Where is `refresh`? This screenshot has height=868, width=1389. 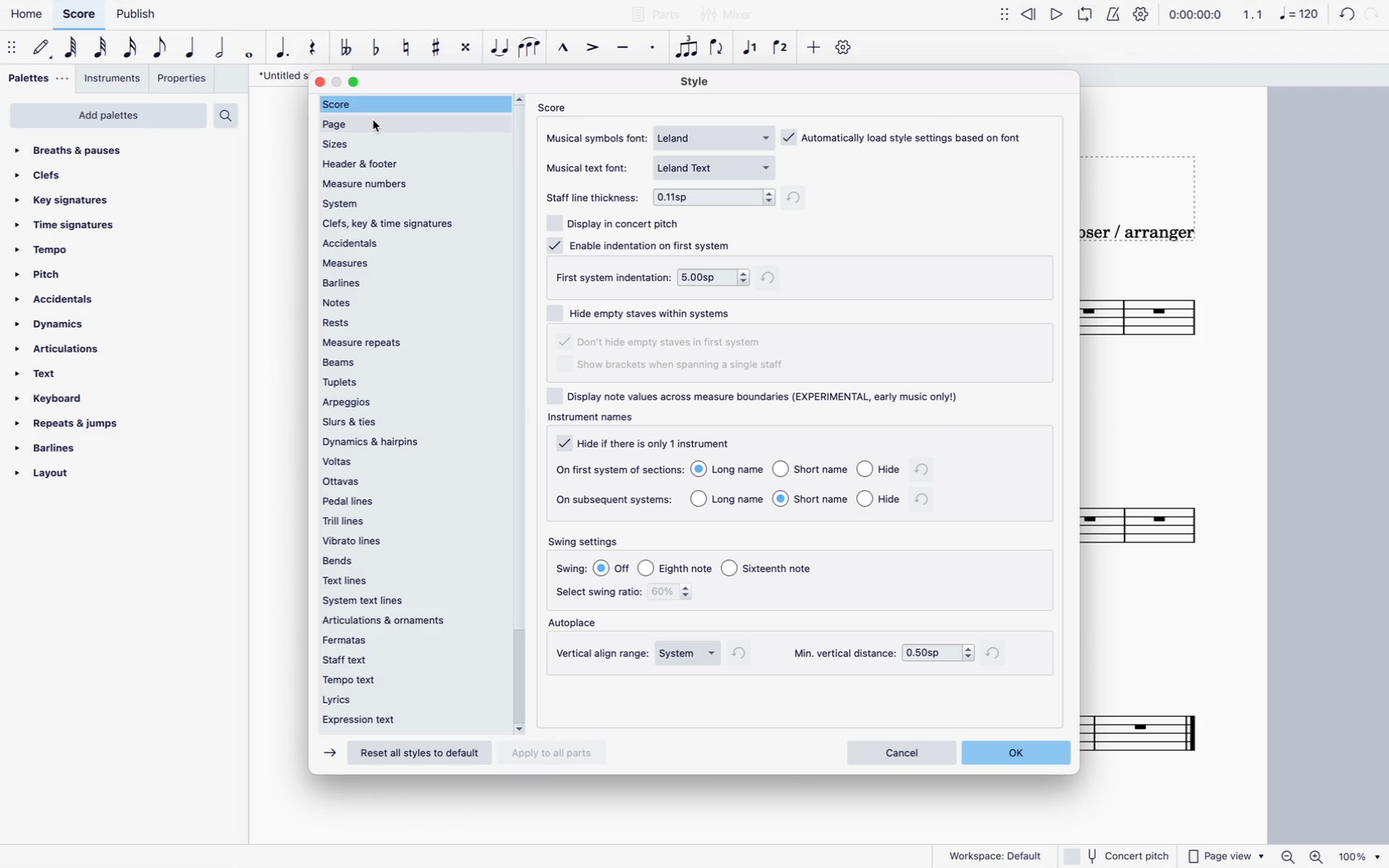 refresh is located at coordinates (926, 501).